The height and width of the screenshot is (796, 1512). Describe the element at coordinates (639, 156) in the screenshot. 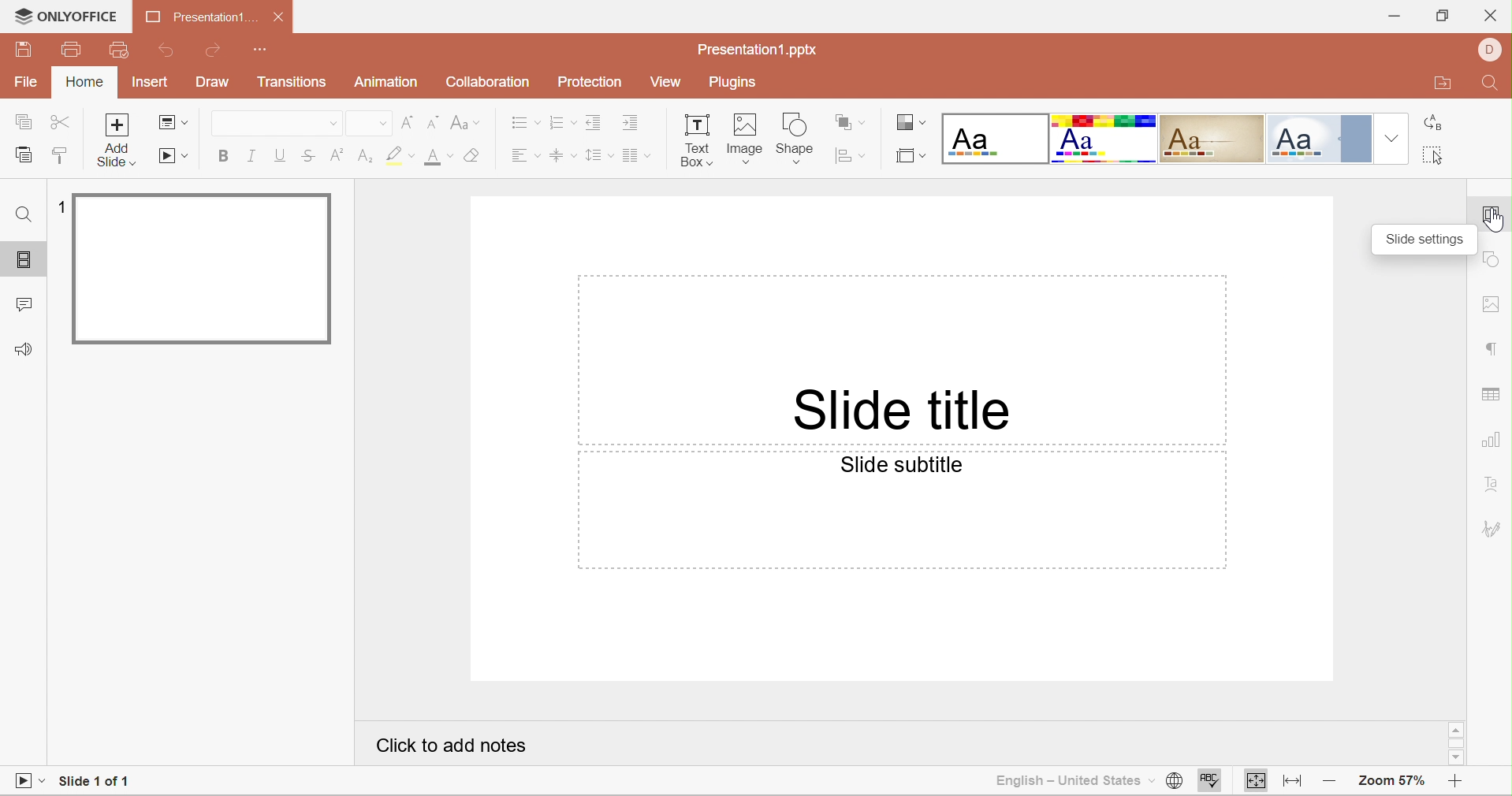

I see `Insert columns` at that location.